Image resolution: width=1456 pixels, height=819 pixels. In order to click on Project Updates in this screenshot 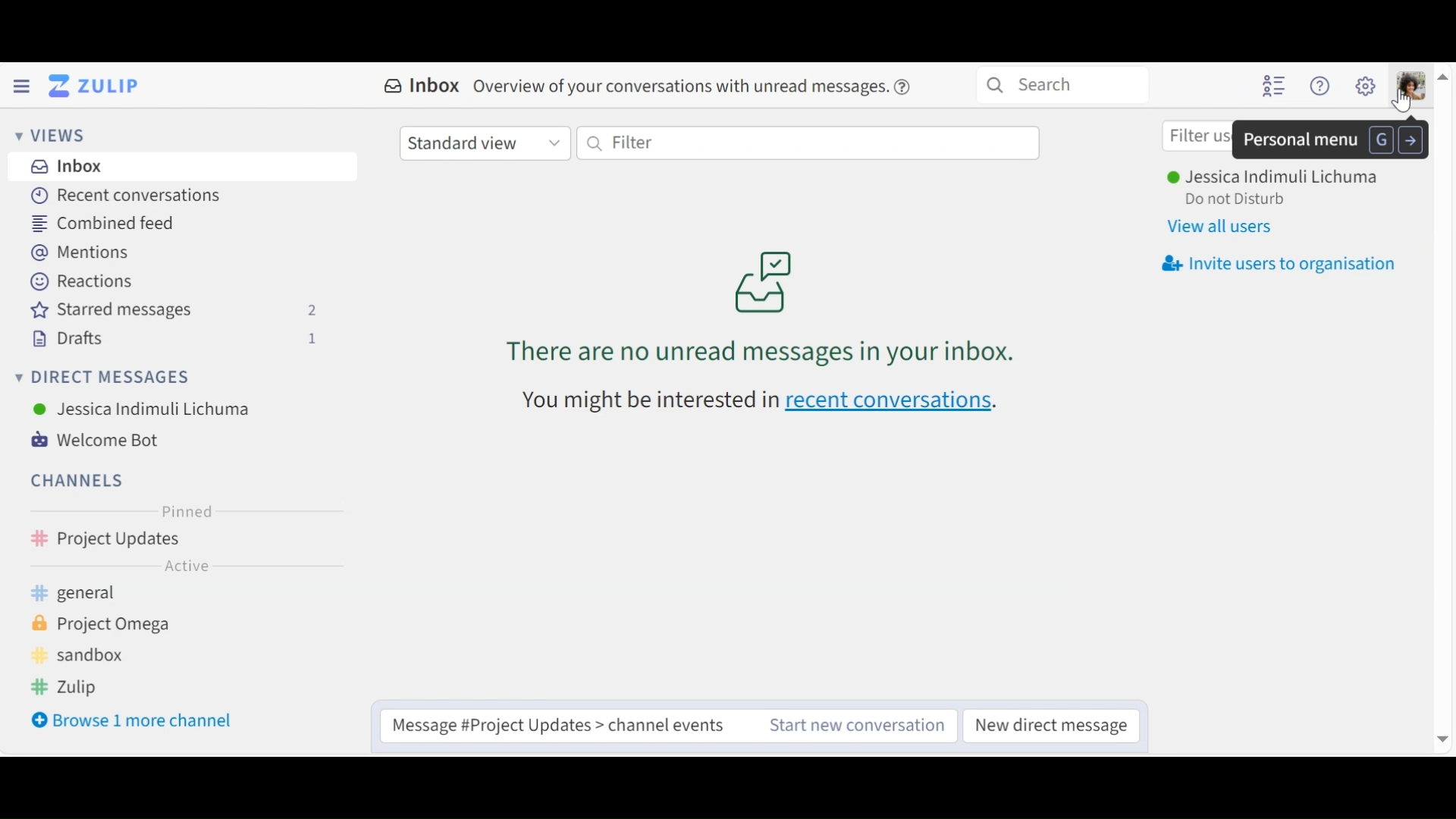, I will do `click(184, 541)`.